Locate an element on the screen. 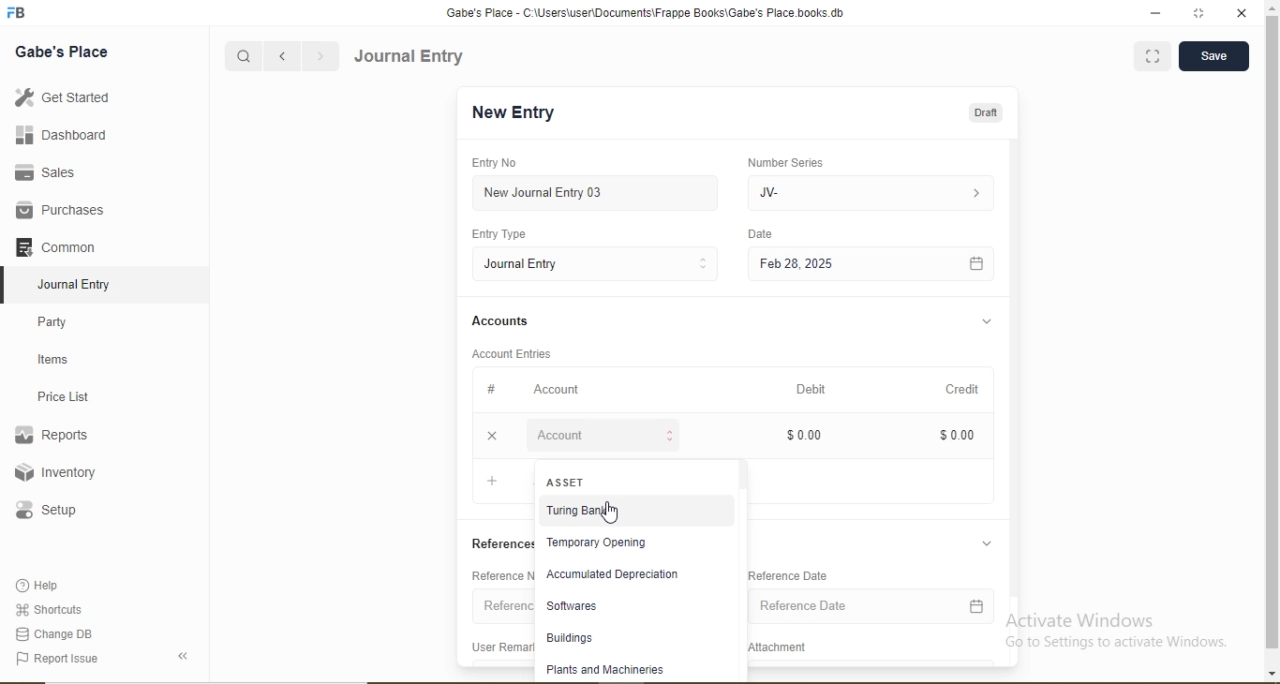 This screenshot has height=684, width=1280. Credit is located at coordinates (966, 389).